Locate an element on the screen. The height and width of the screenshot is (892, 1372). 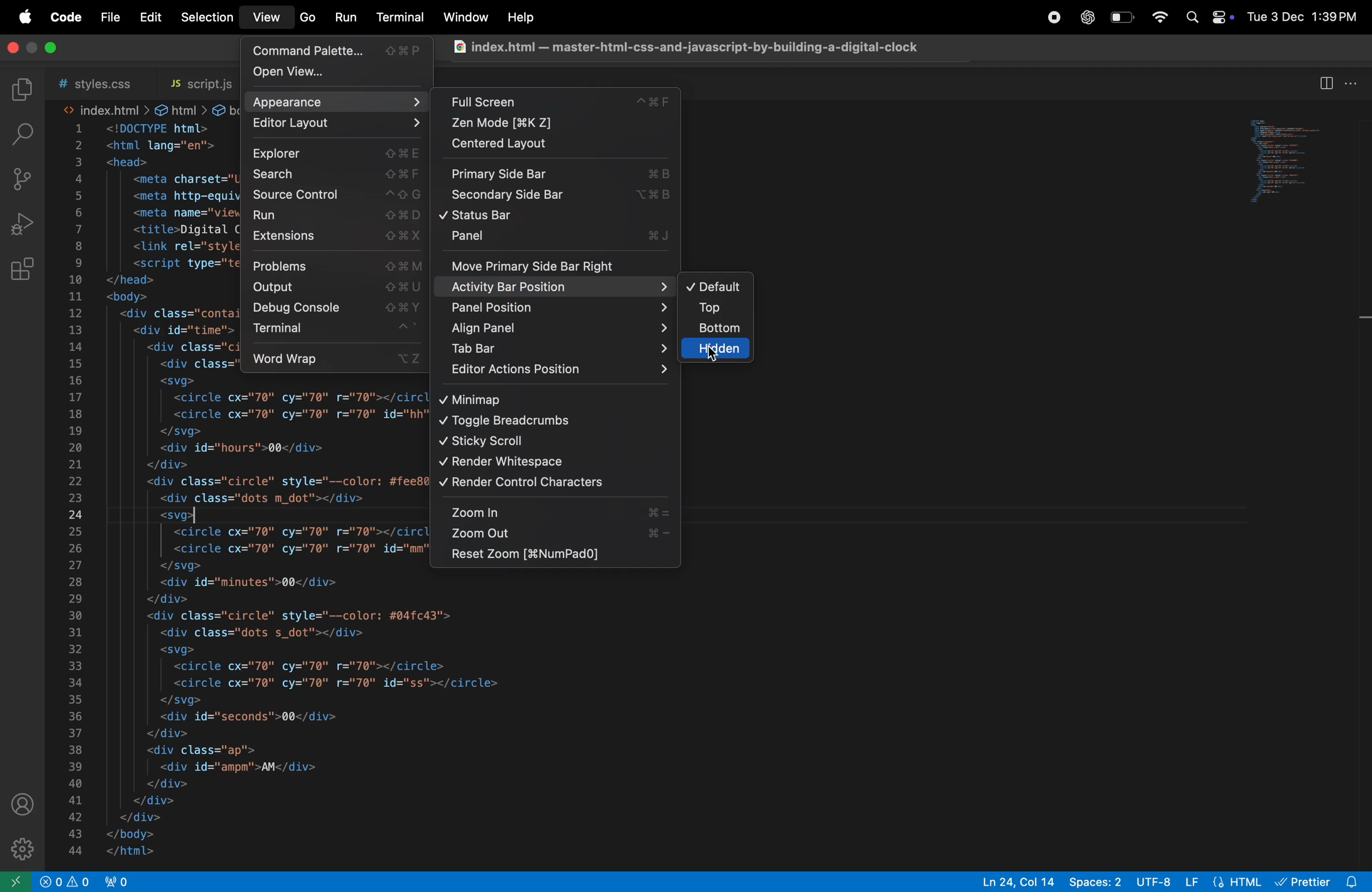
render control charachters is located at coordinates (556, 484).